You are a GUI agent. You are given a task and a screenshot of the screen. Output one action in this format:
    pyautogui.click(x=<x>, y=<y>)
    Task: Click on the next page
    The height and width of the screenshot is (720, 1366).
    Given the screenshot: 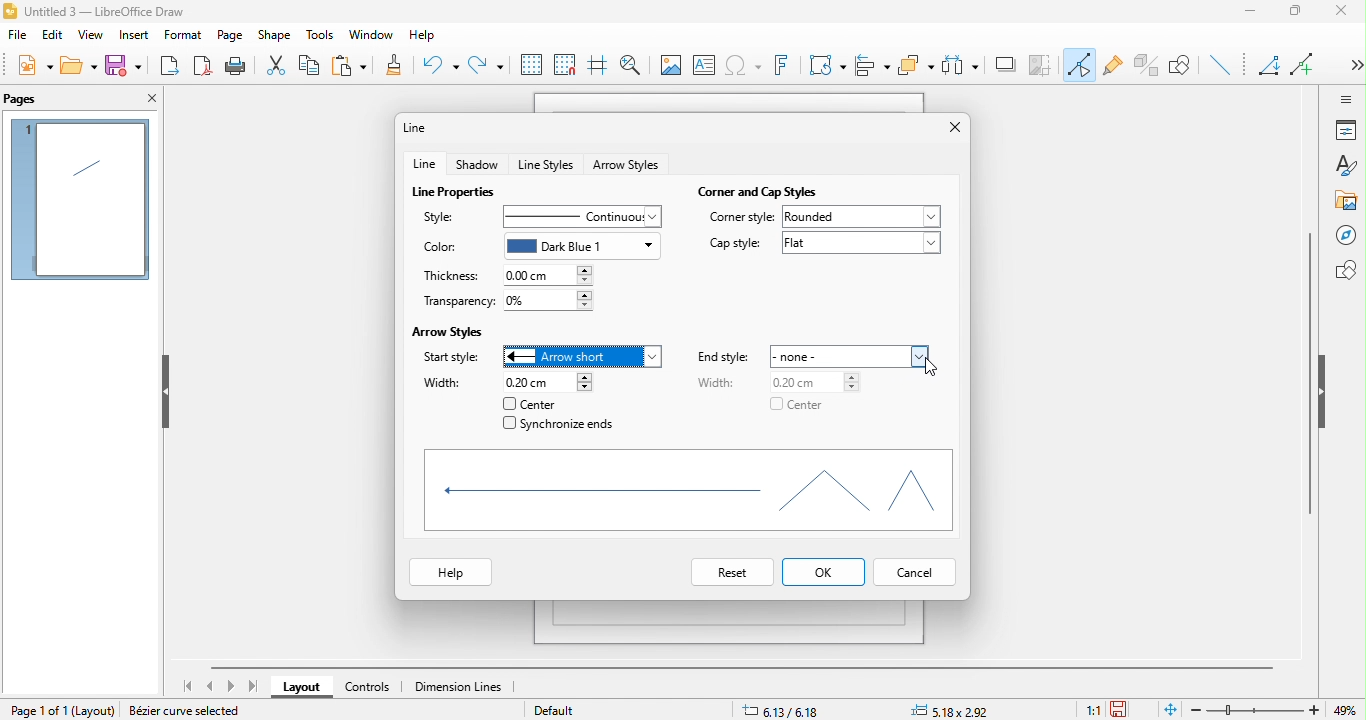 What is the action you would take?
    pyautogui.click(x=231, y=687)
    